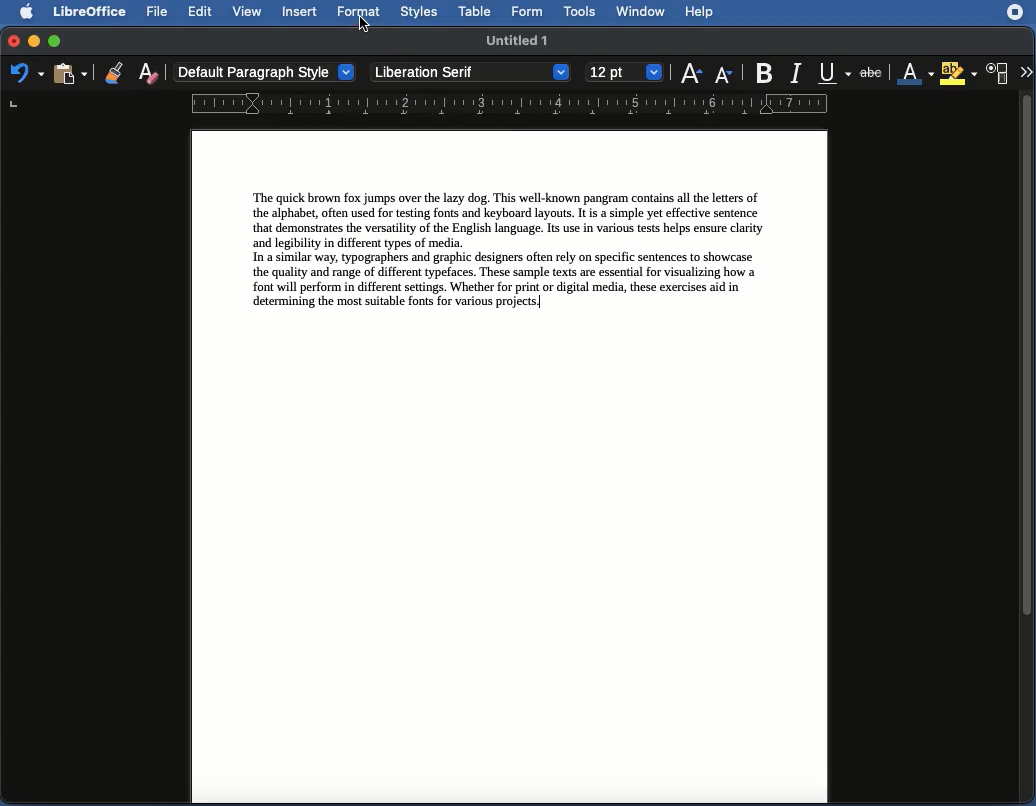  Describe the element at coordinates (26, 74) in the screenshot. I see `Undo` at that location.